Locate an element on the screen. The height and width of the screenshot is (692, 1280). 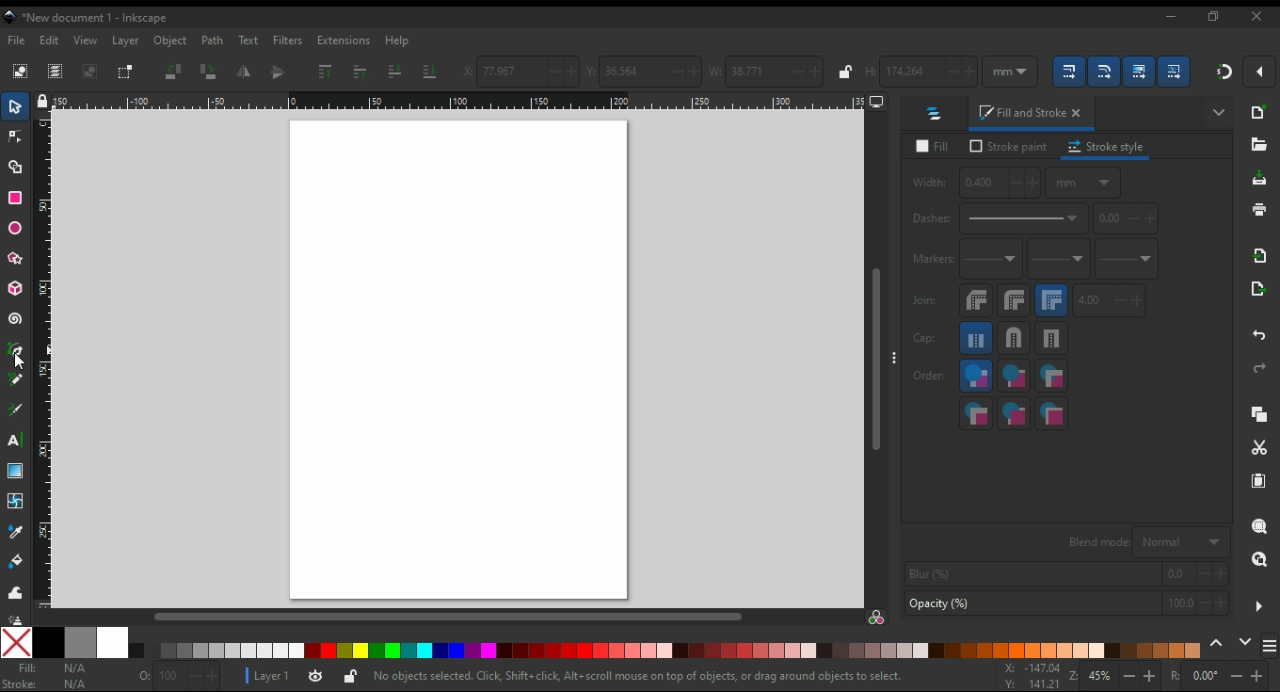
open export undo is located at coordinates (1258, 290).